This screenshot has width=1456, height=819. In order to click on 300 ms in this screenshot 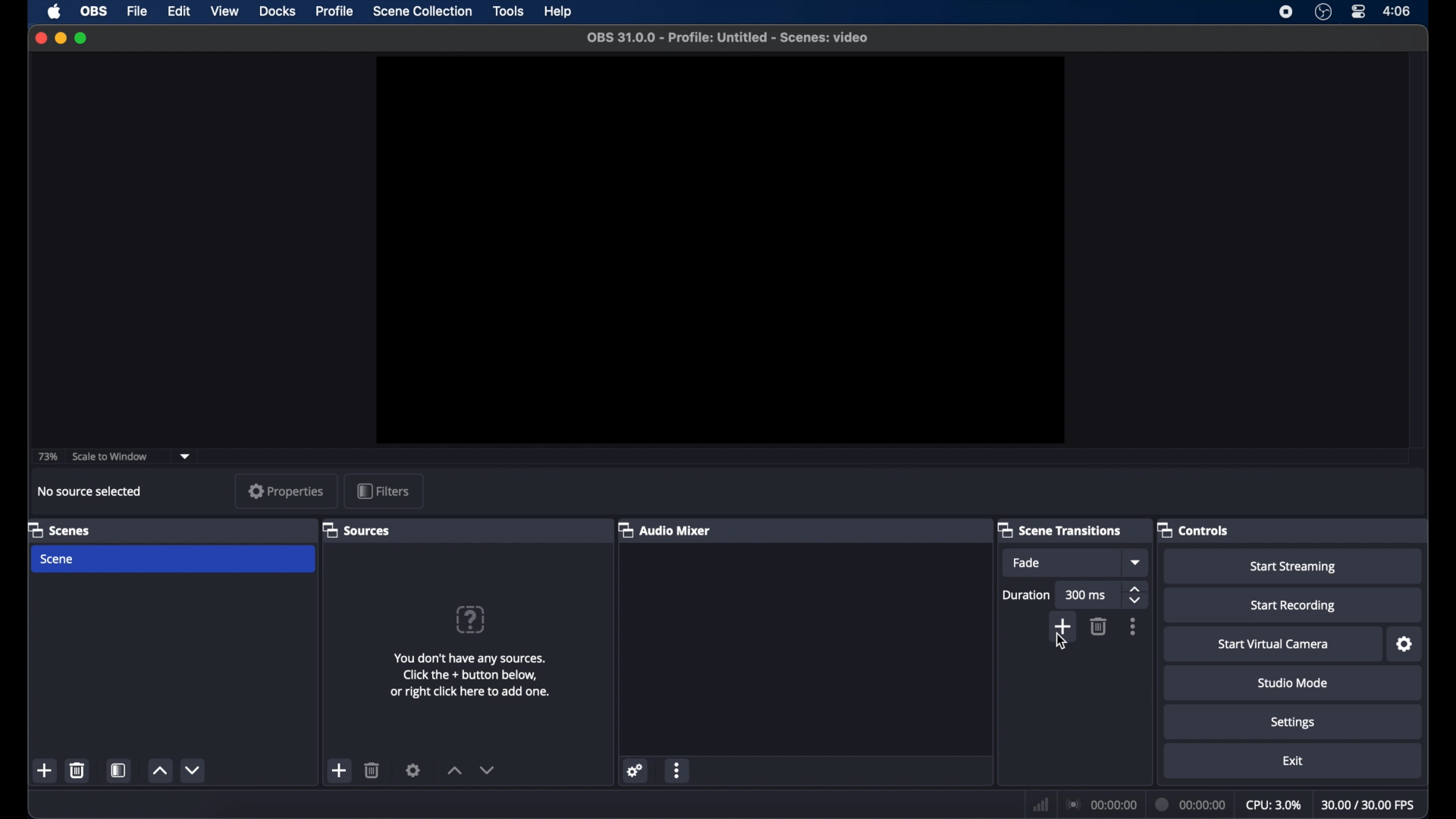, I will do `click(1086, 596)`.